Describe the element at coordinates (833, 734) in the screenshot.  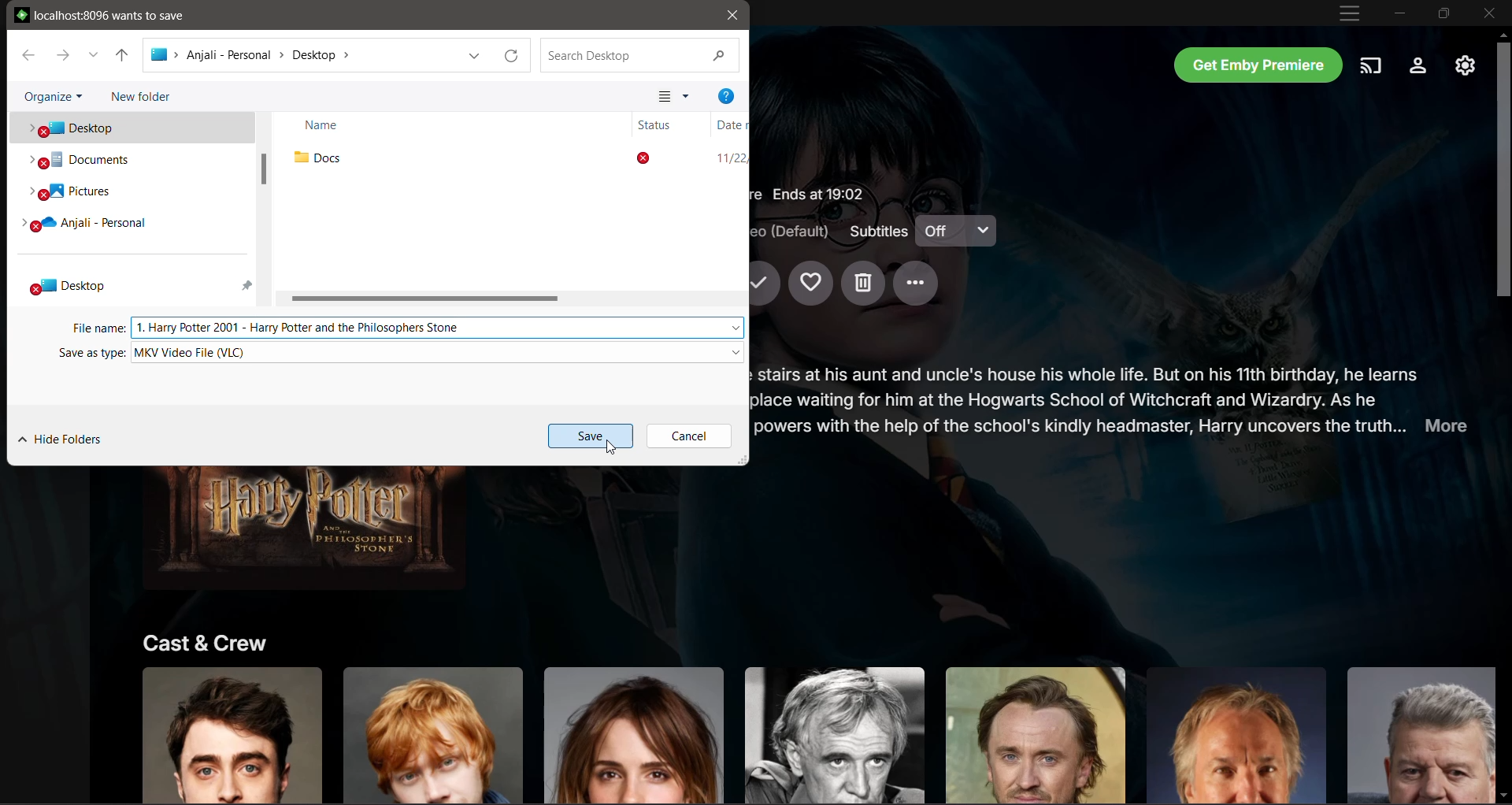
I see `Click to know more about actor` at that location.